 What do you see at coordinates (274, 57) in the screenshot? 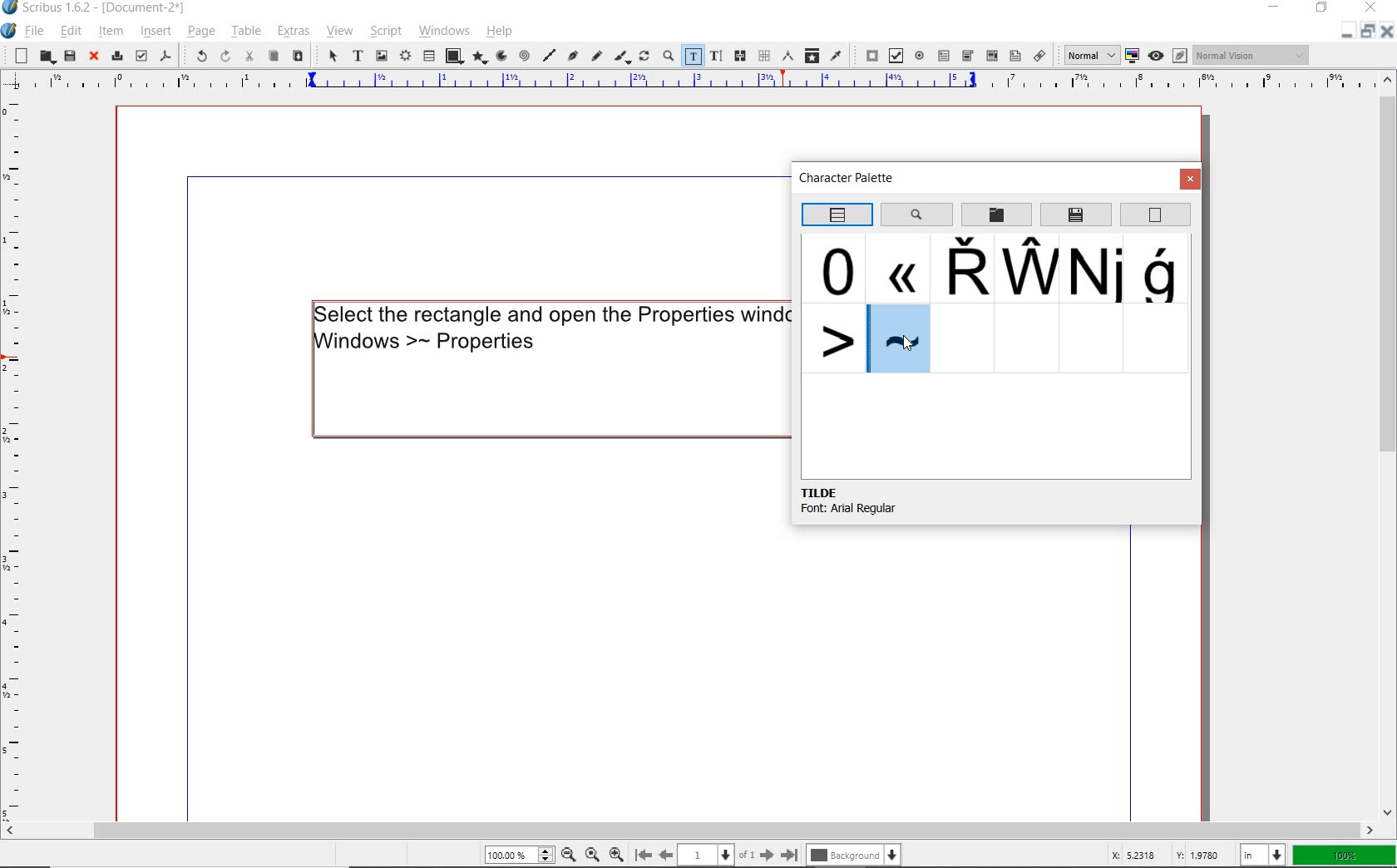
I see `copy` at bounding box center [274, 57].